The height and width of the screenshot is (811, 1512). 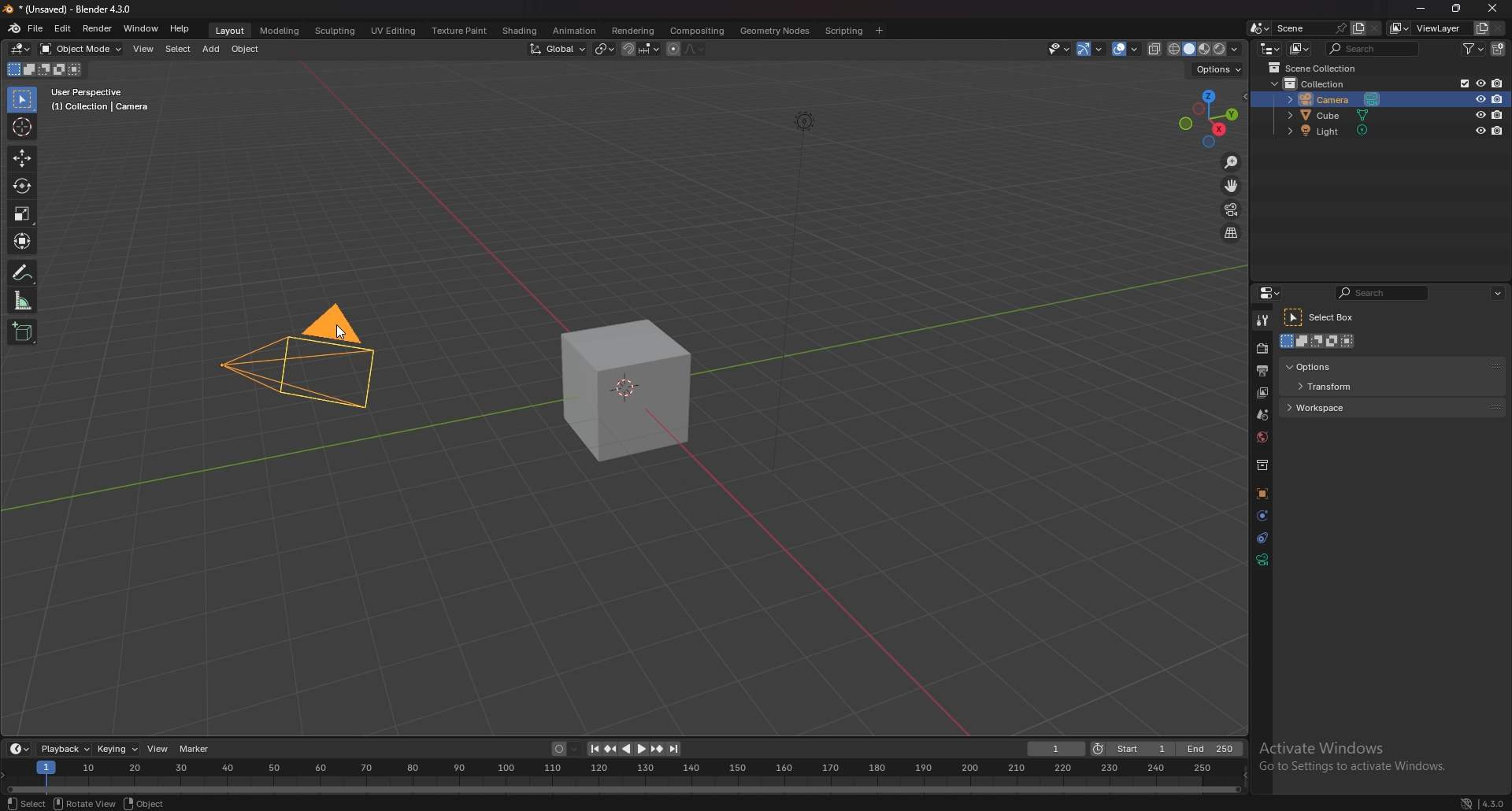 I want to click on tool, so click(x=1262, y=320).